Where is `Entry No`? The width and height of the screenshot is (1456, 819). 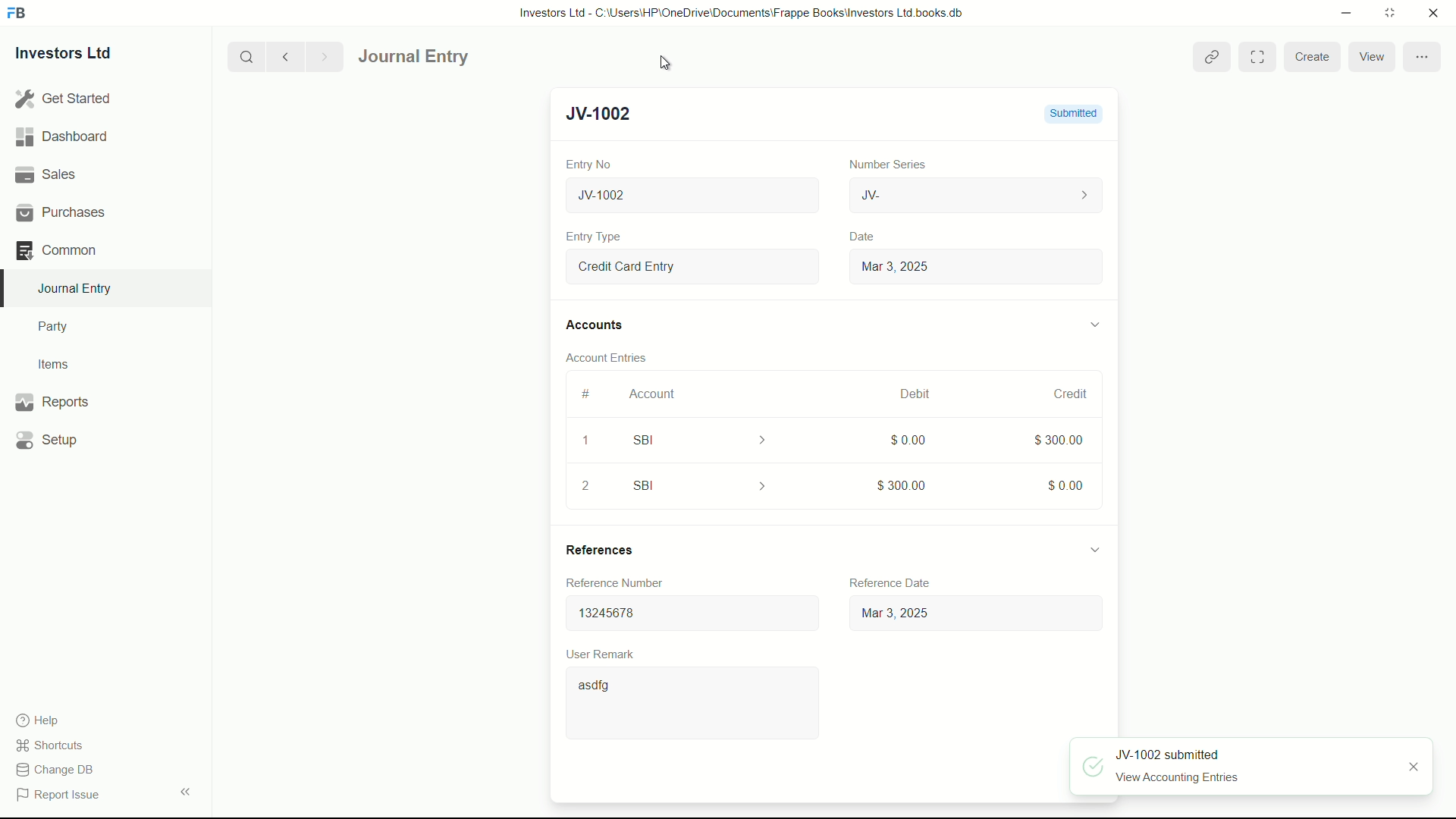
Entry No is located at coordinates (591, 162).